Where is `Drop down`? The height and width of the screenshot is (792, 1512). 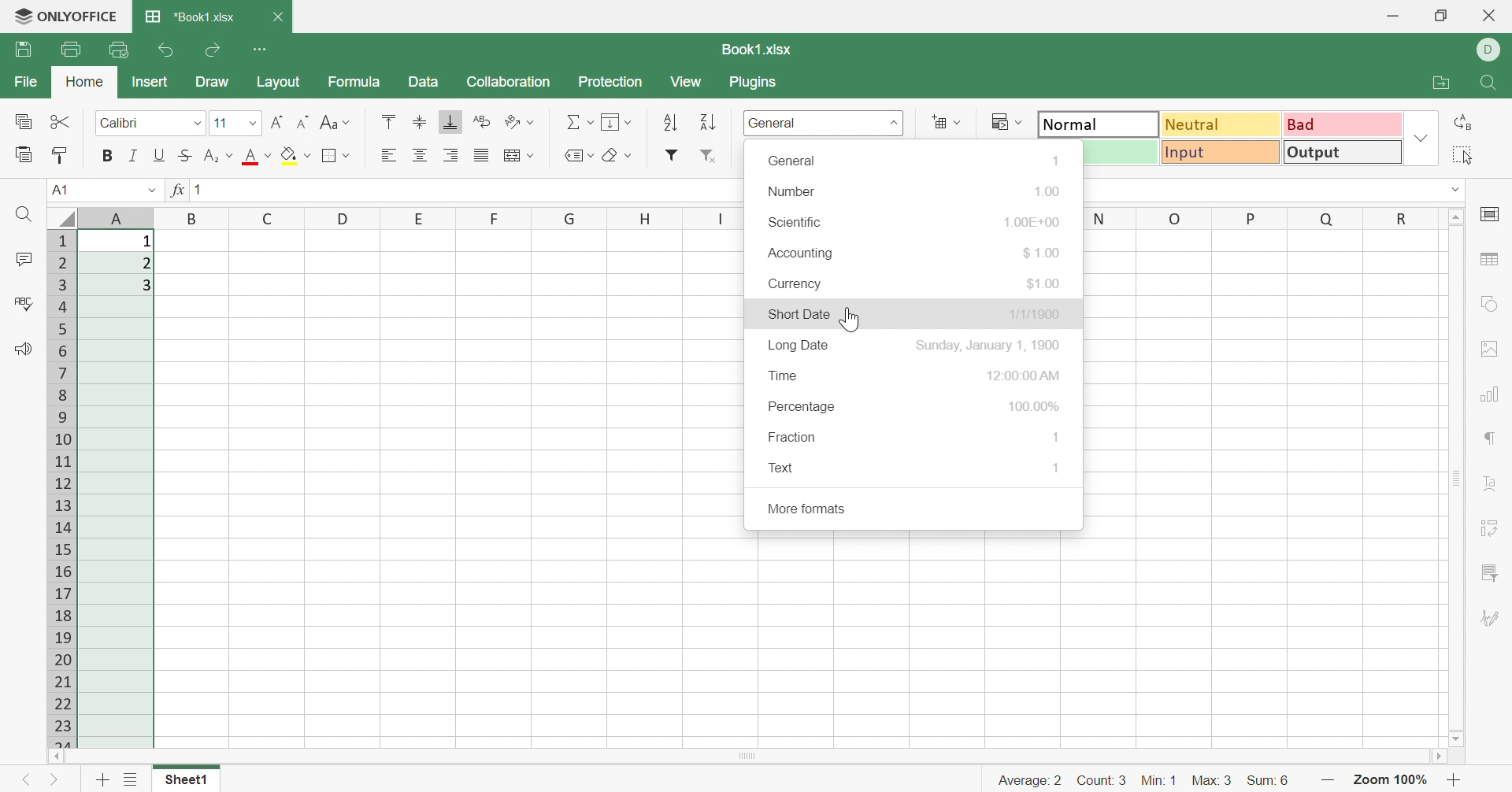
Drop down is located at coordinates (1421, 136).